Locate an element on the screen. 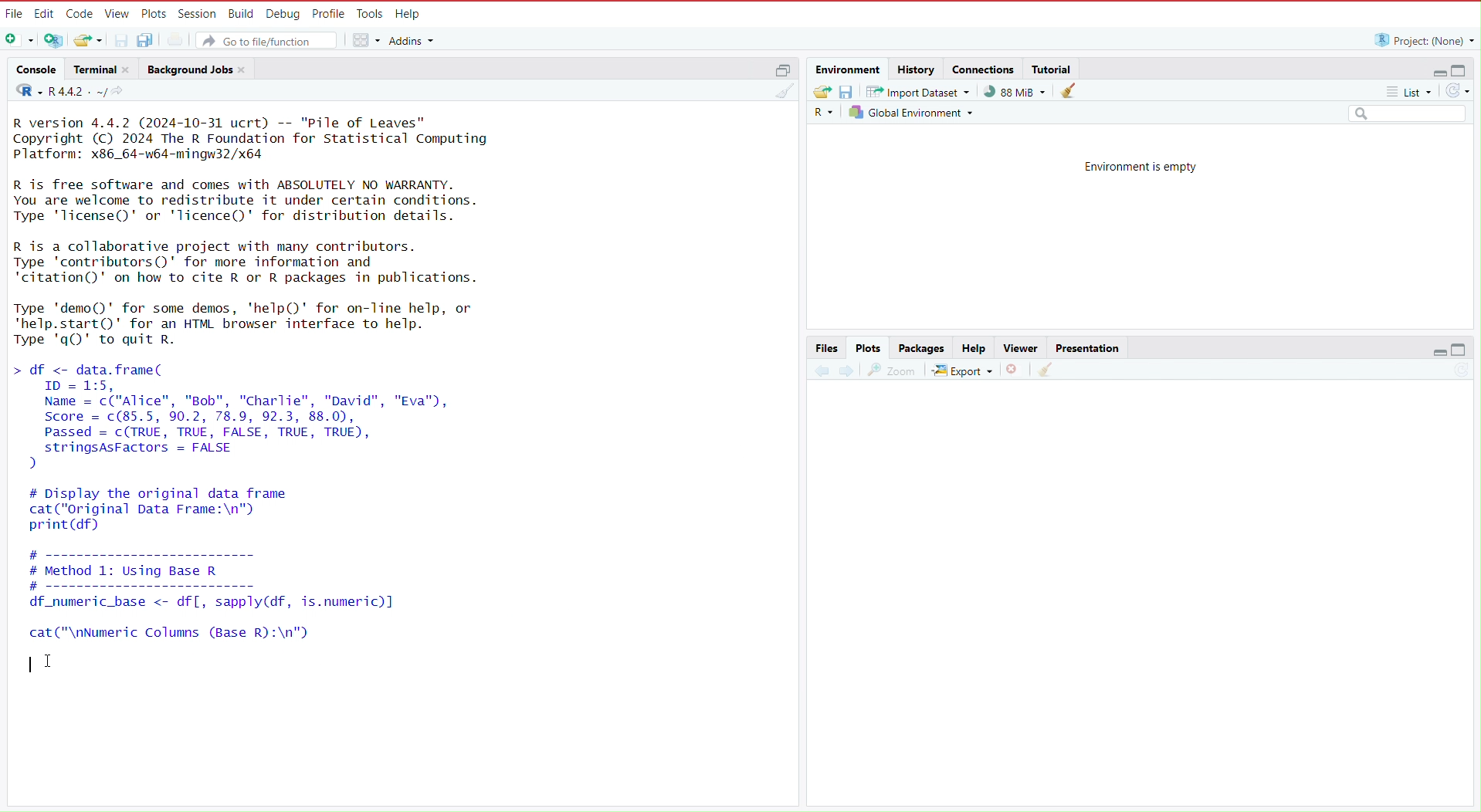  maximize is located at coordinates (781, 68).